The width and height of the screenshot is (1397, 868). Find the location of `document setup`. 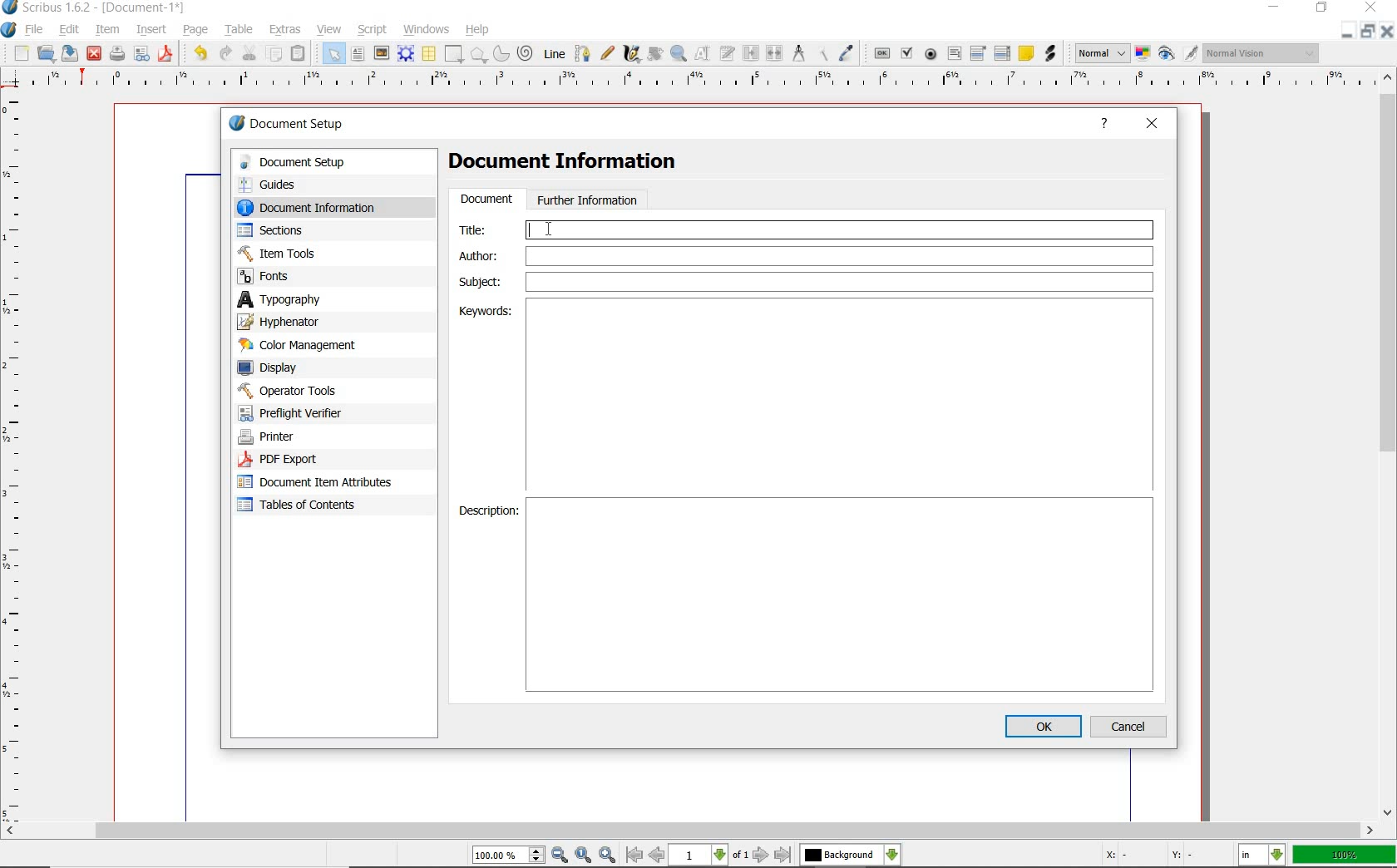

document setup is located at coordinates (320, 162).